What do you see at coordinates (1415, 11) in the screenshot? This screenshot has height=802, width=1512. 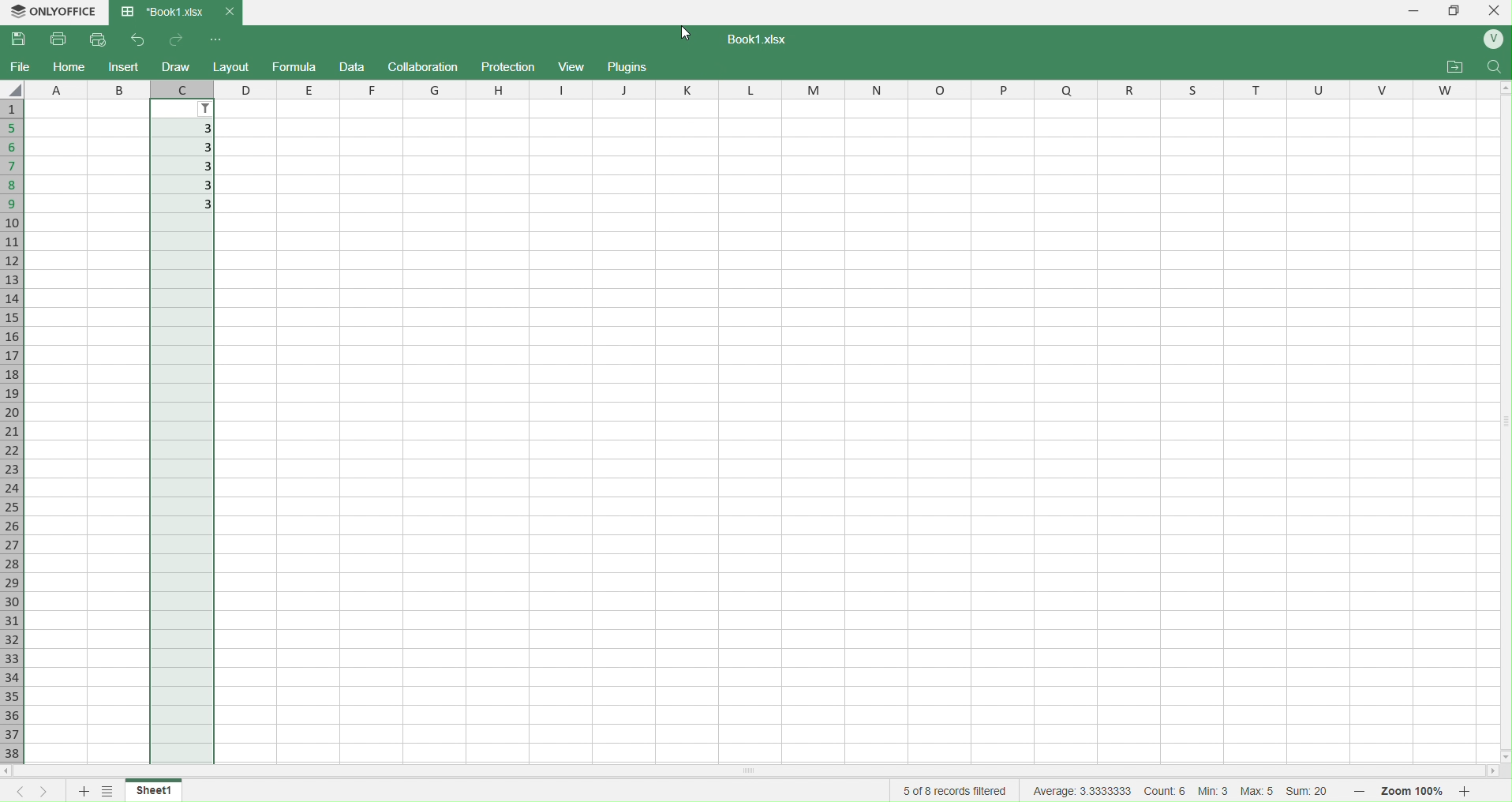 I see `Minimize` at bounding box center [1415, 11].